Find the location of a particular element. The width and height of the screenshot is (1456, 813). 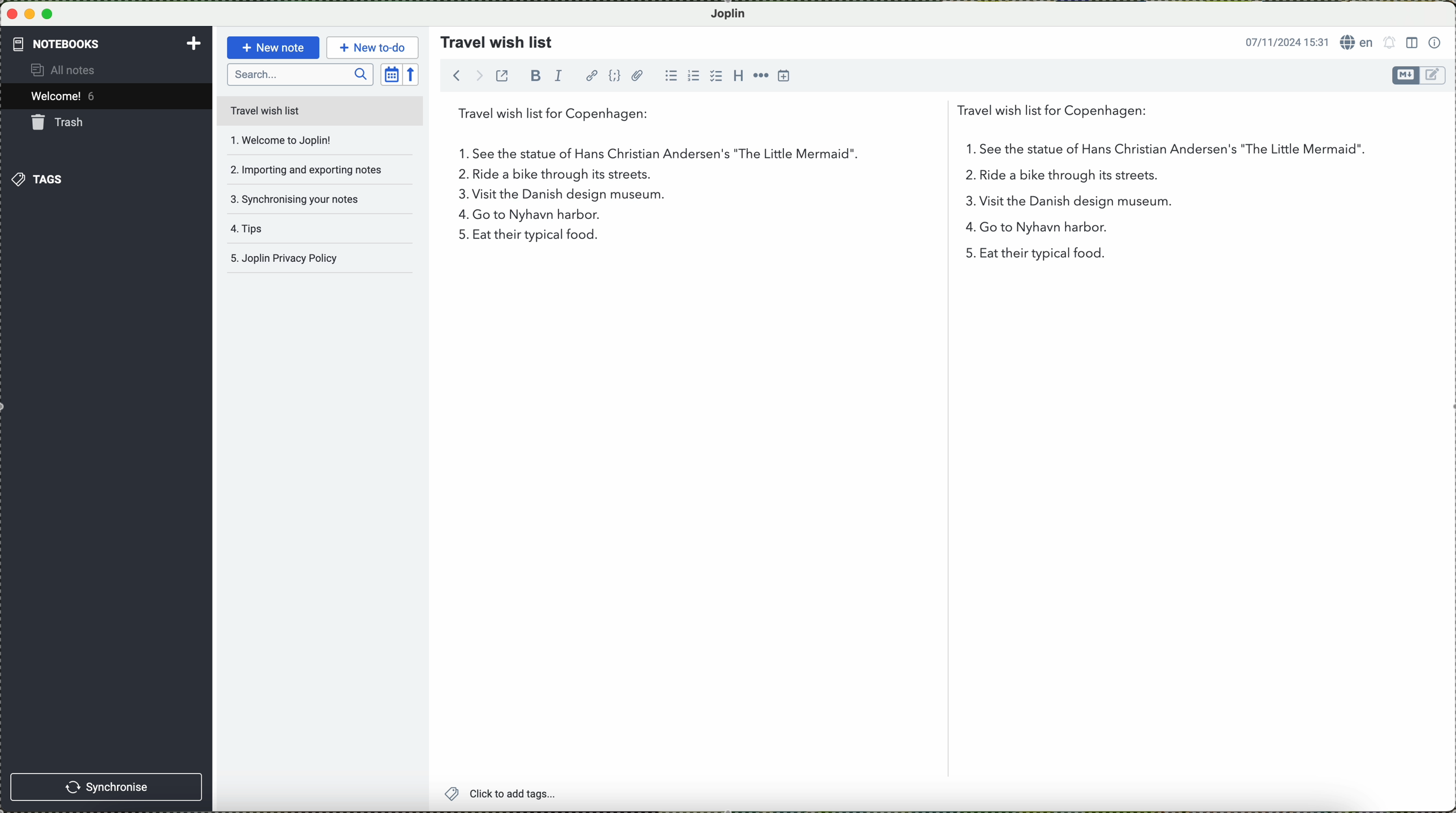

reverse sort order is located at coordinates (414, 73).